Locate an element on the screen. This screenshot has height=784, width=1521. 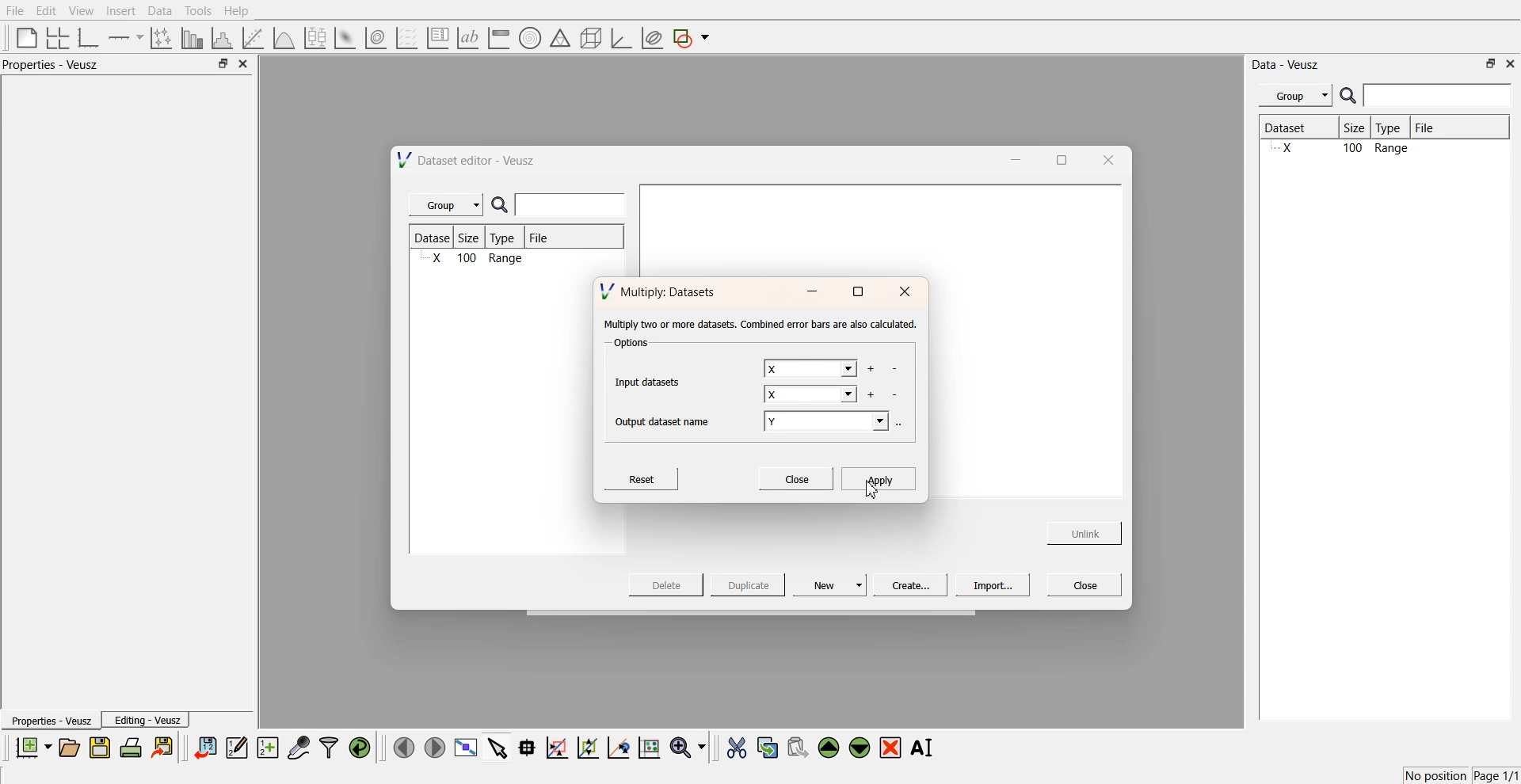
add an axis is located at coordinates (127, 37).